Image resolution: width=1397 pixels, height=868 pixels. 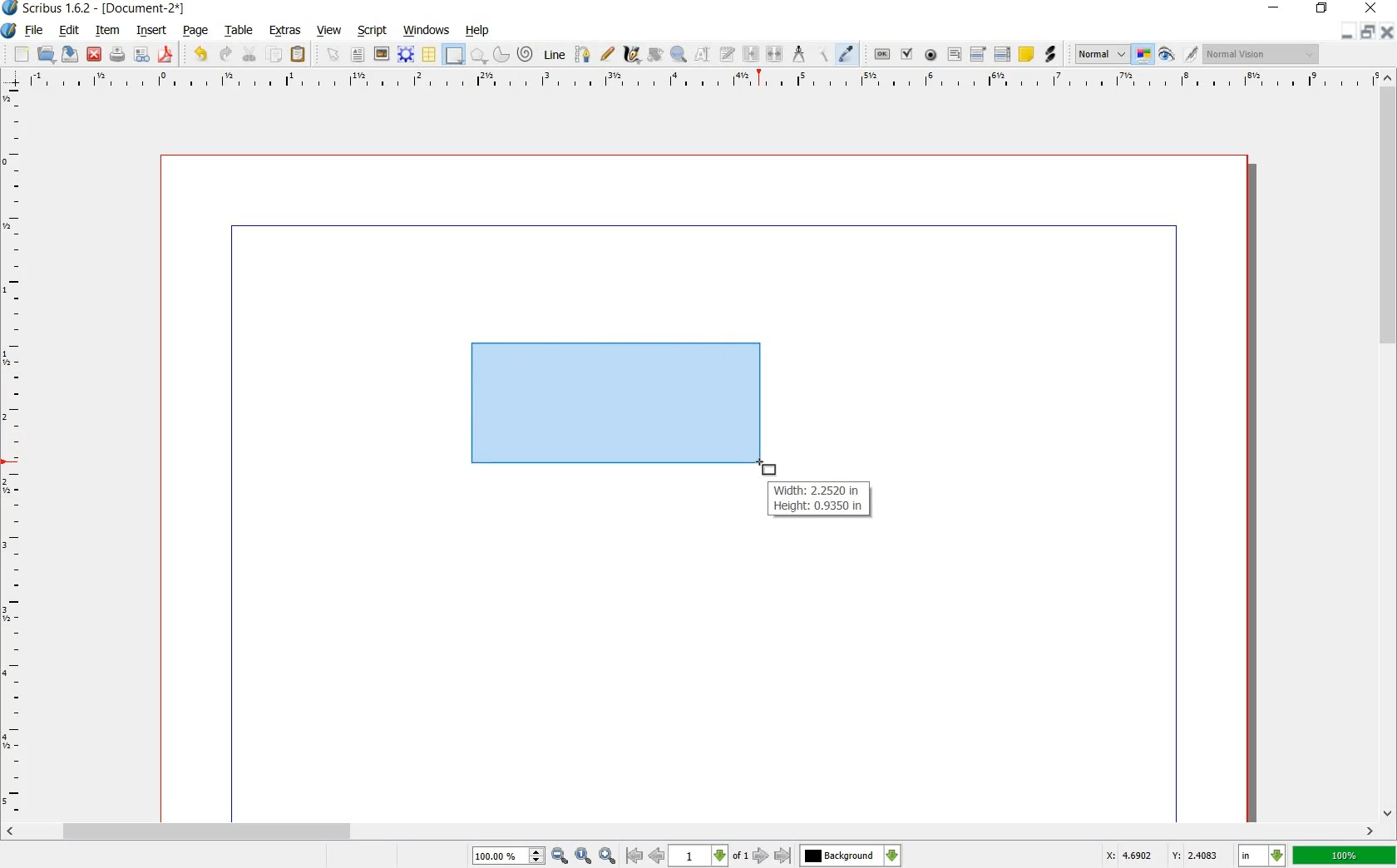 I want to click on MINIMIZE, so click(x=1350, y=32).